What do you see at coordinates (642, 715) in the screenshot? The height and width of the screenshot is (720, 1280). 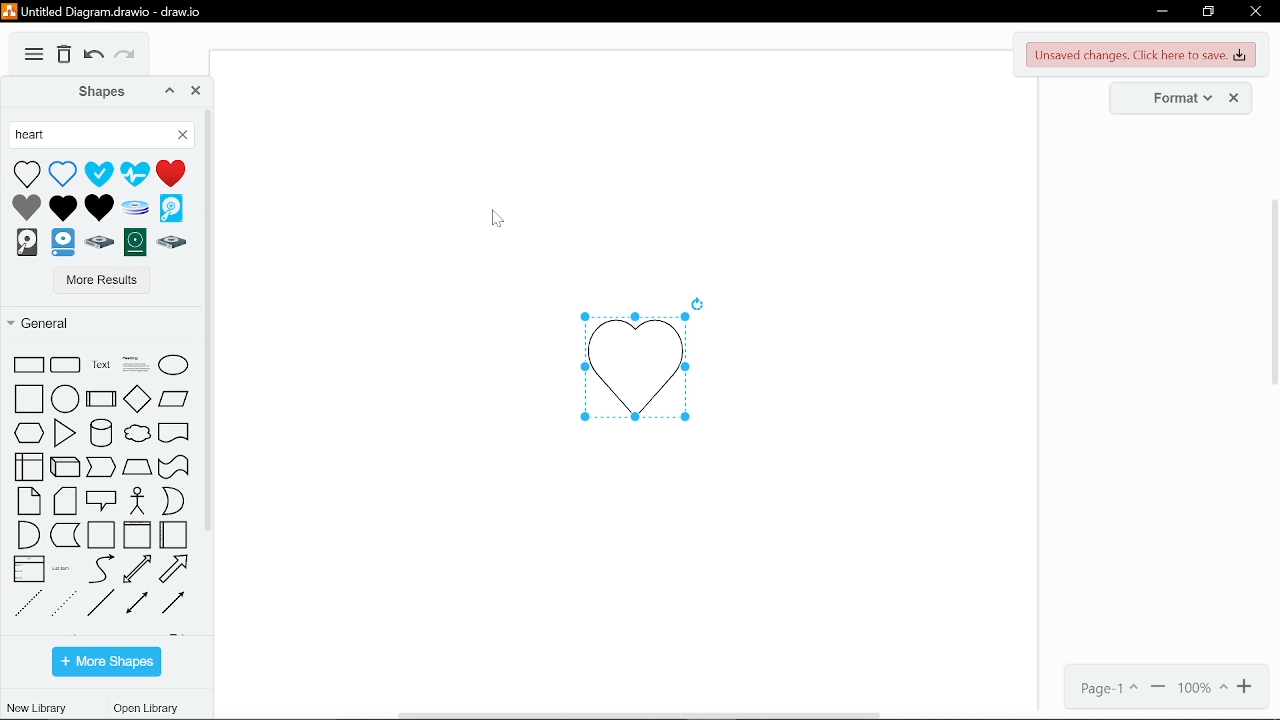 I see `horizontal scrollbar` at bounding box center [642, 715].